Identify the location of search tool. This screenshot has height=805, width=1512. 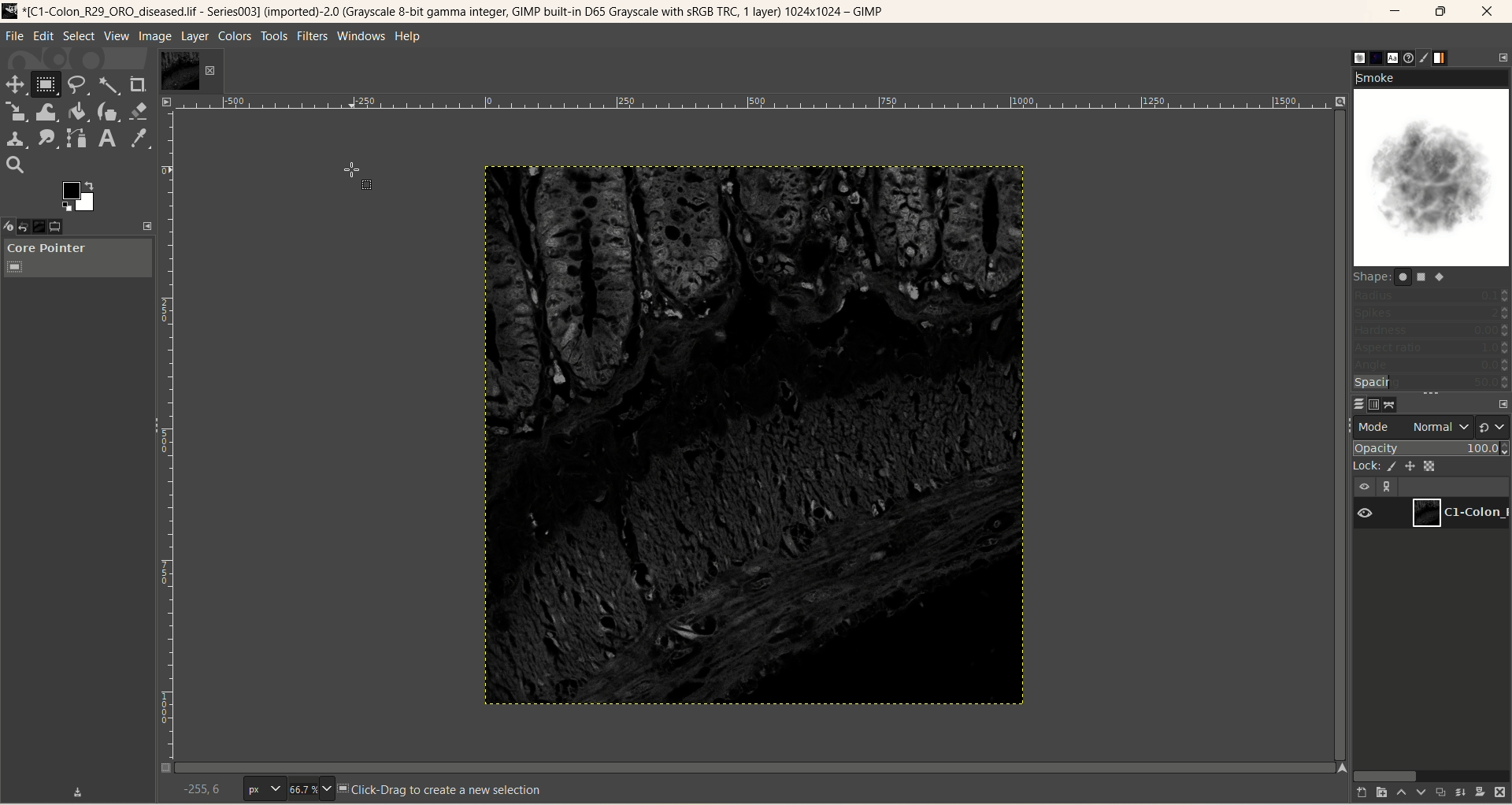
(15, 166).